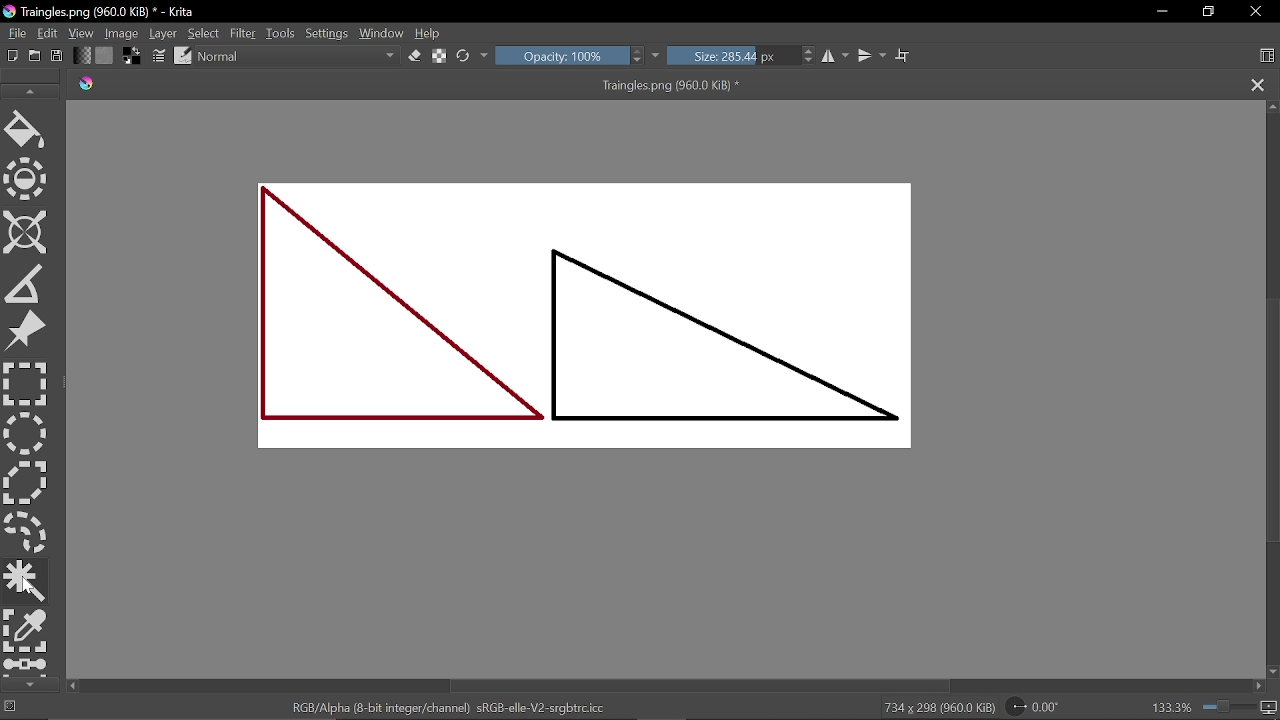 The image size is (1280, 720). Describe the element at coordinates (298, 56) in the screenshot. I see `Blending mode` at that location.